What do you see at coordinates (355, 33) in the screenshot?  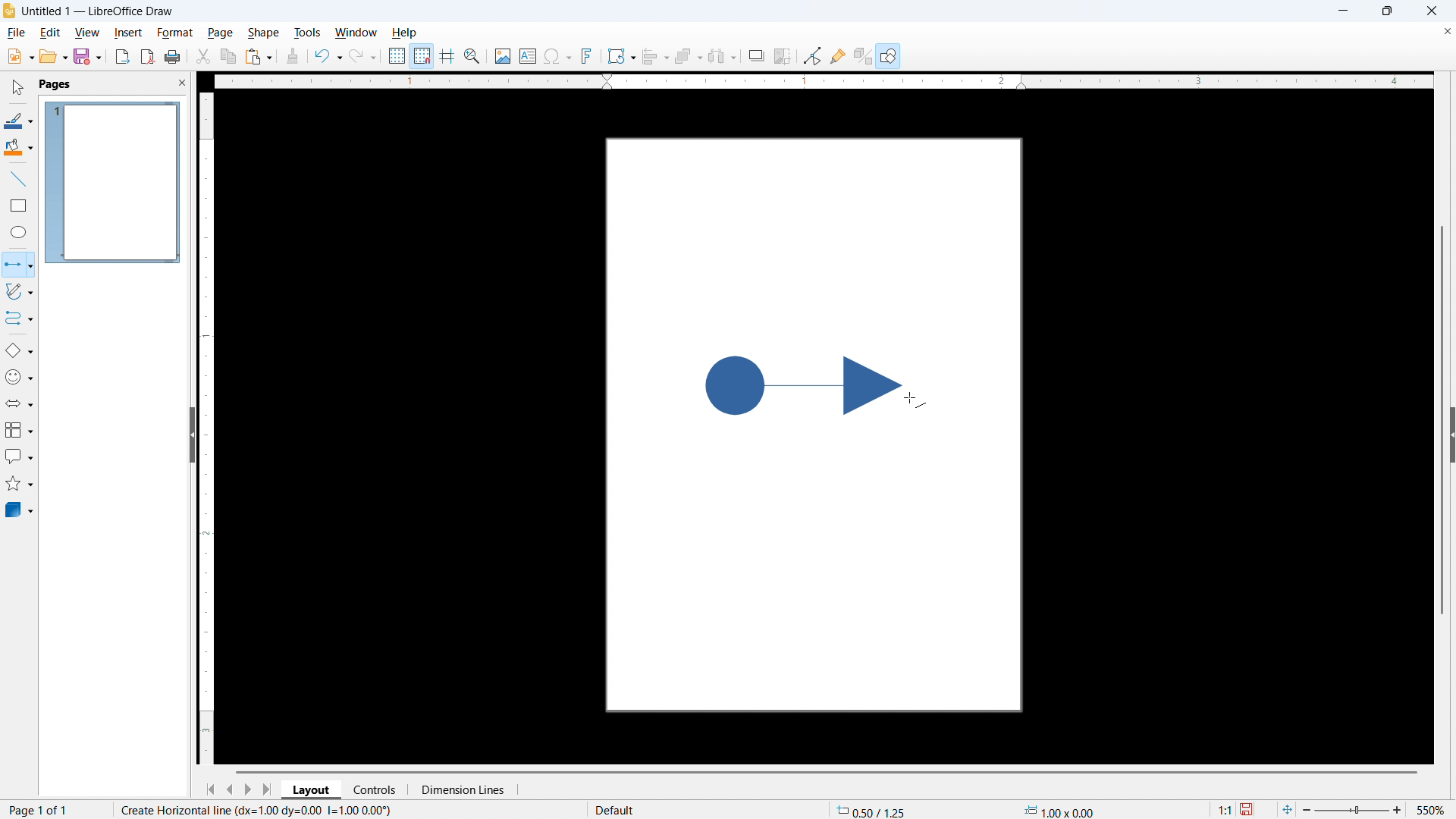 I see `Window ` at bounding box center [355, 33].